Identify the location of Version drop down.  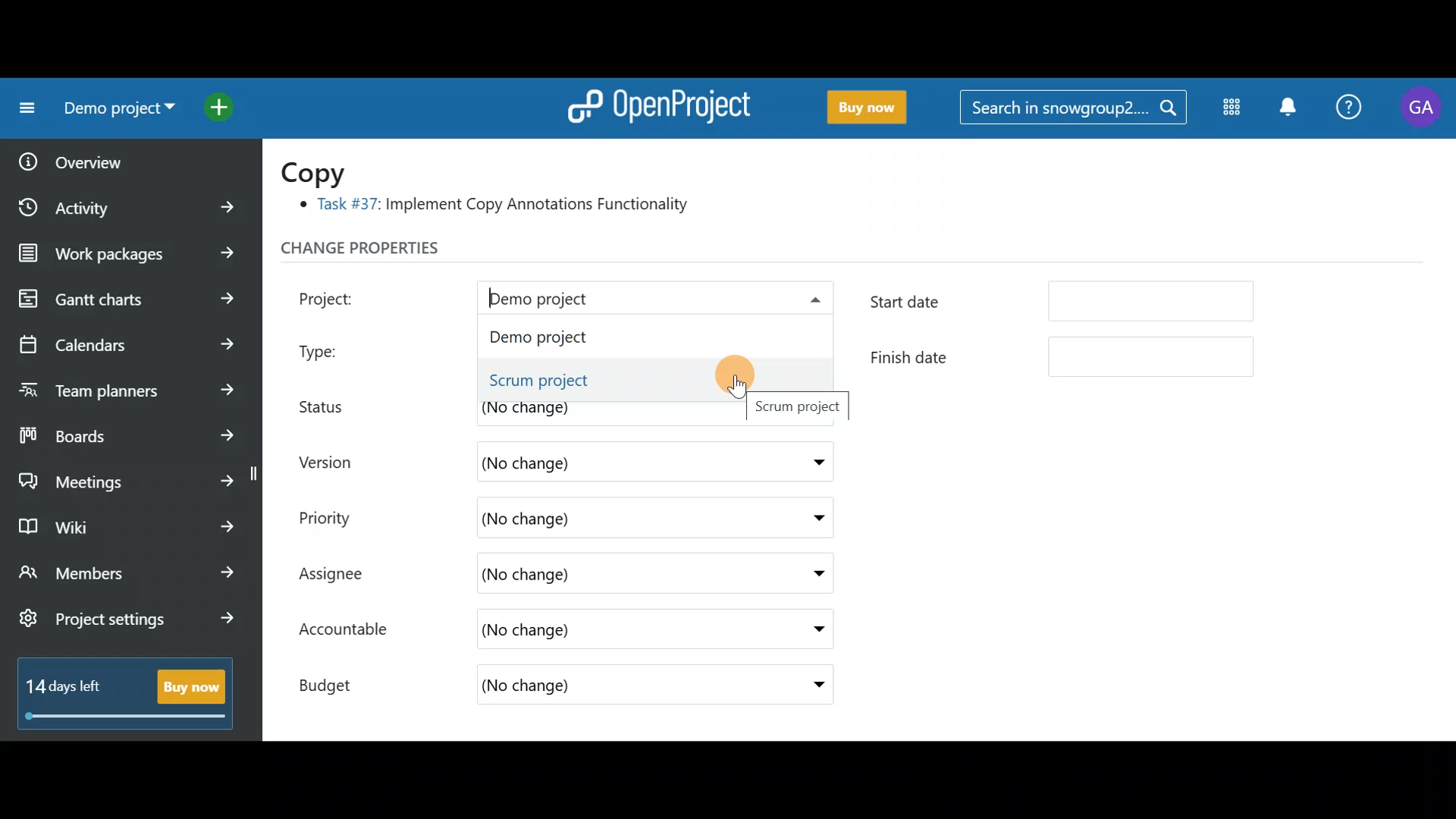
(811, 461).